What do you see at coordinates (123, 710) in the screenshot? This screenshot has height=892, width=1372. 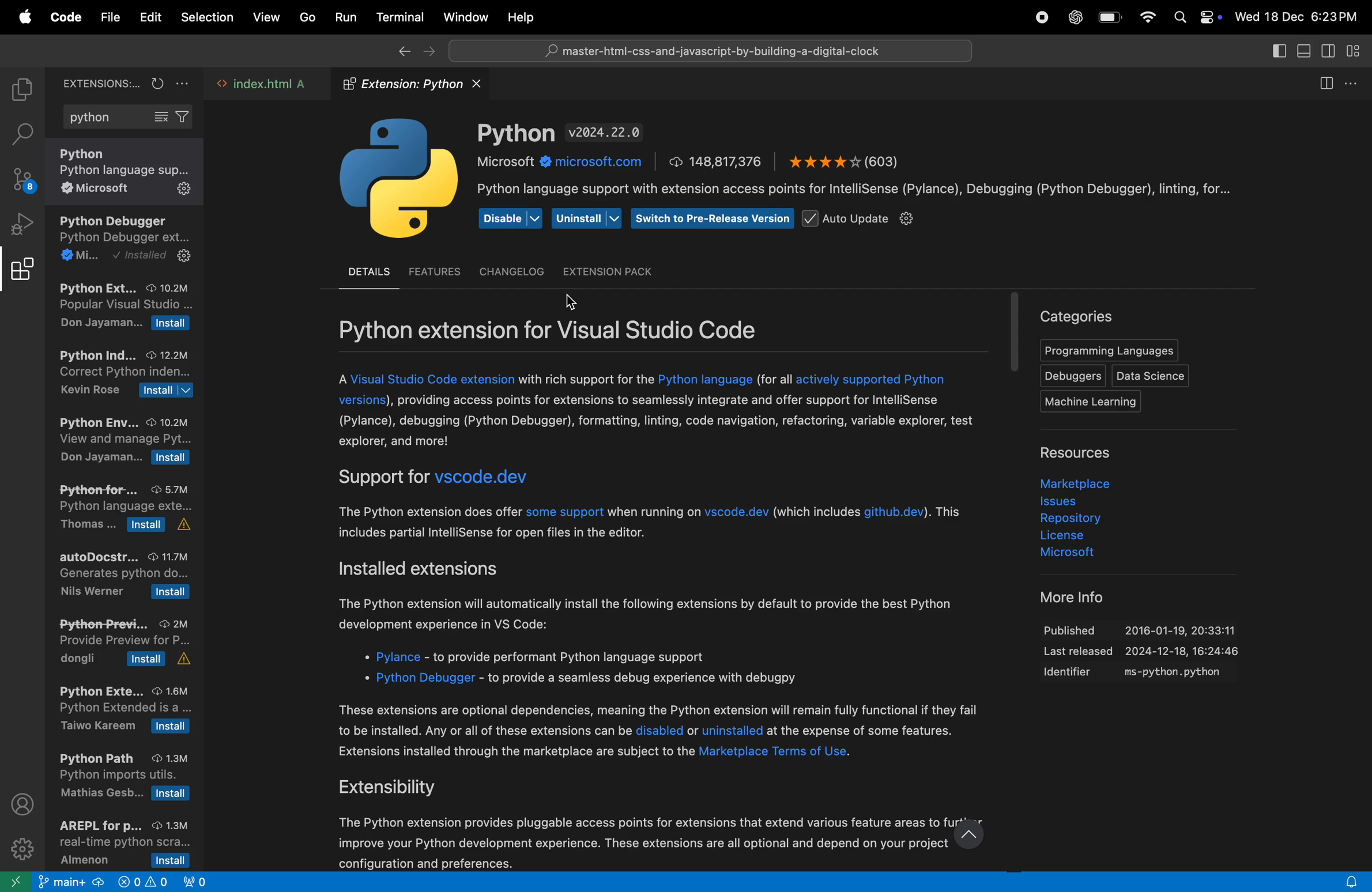 I see `python boot strap extension` at bounding box center [123, 710].